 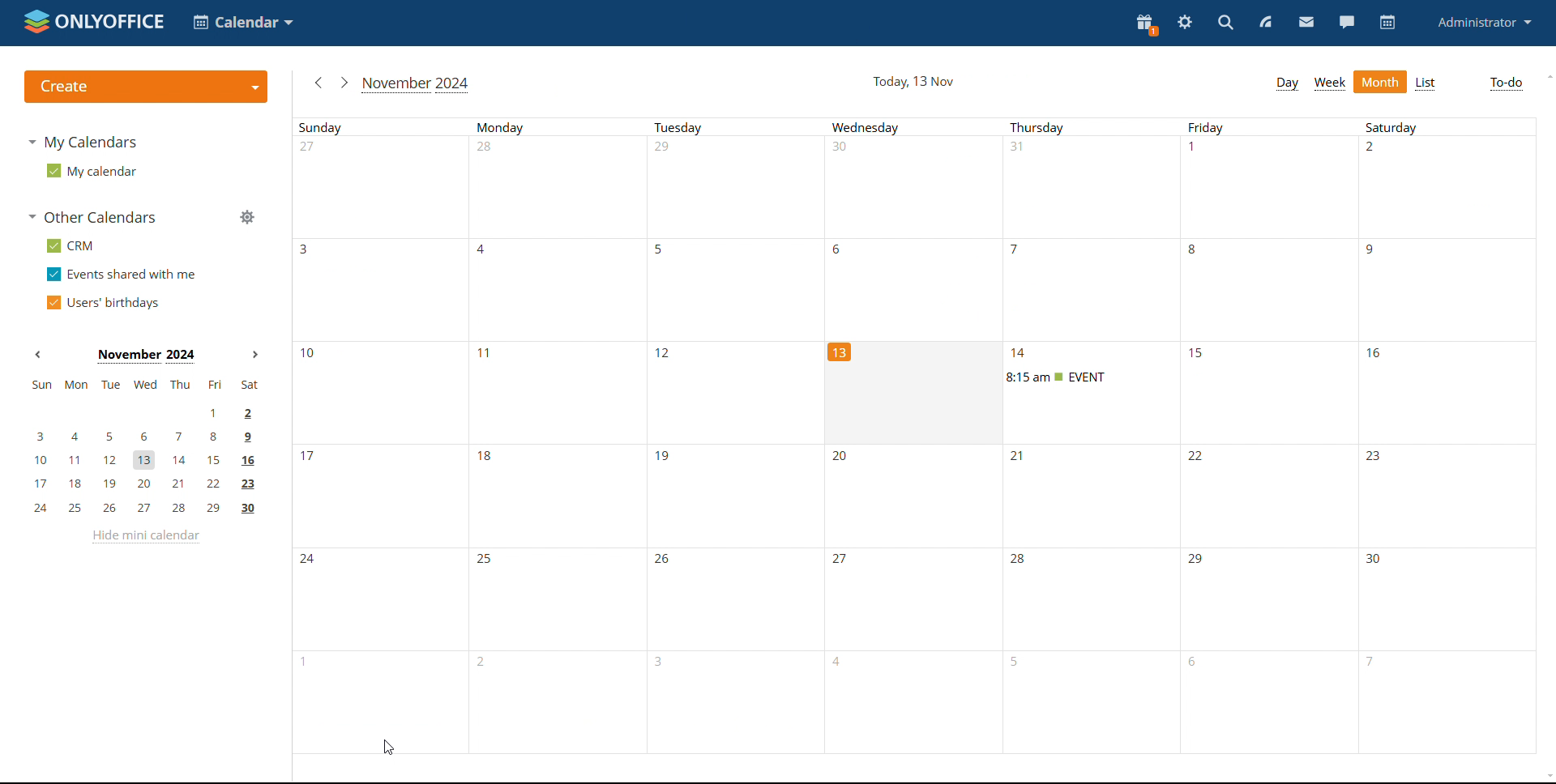 What do you see at coordinates (1331, 83) in the screenshot?
I see `week view` at bounding box center [1331, 83].